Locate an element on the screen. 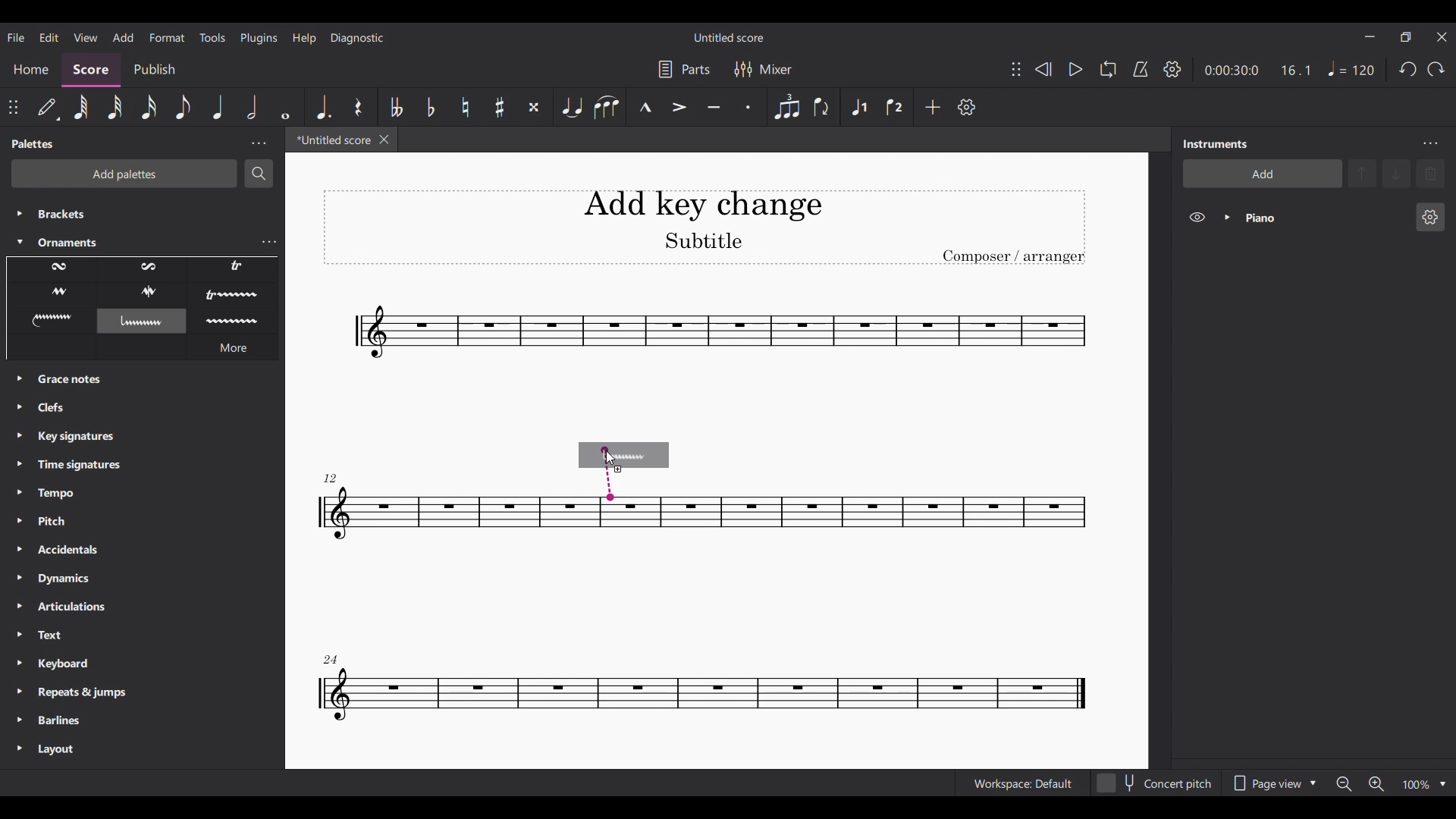 The height and width of the screenshot is (819, 1456). 64th note is located at coordinates (81, 107).